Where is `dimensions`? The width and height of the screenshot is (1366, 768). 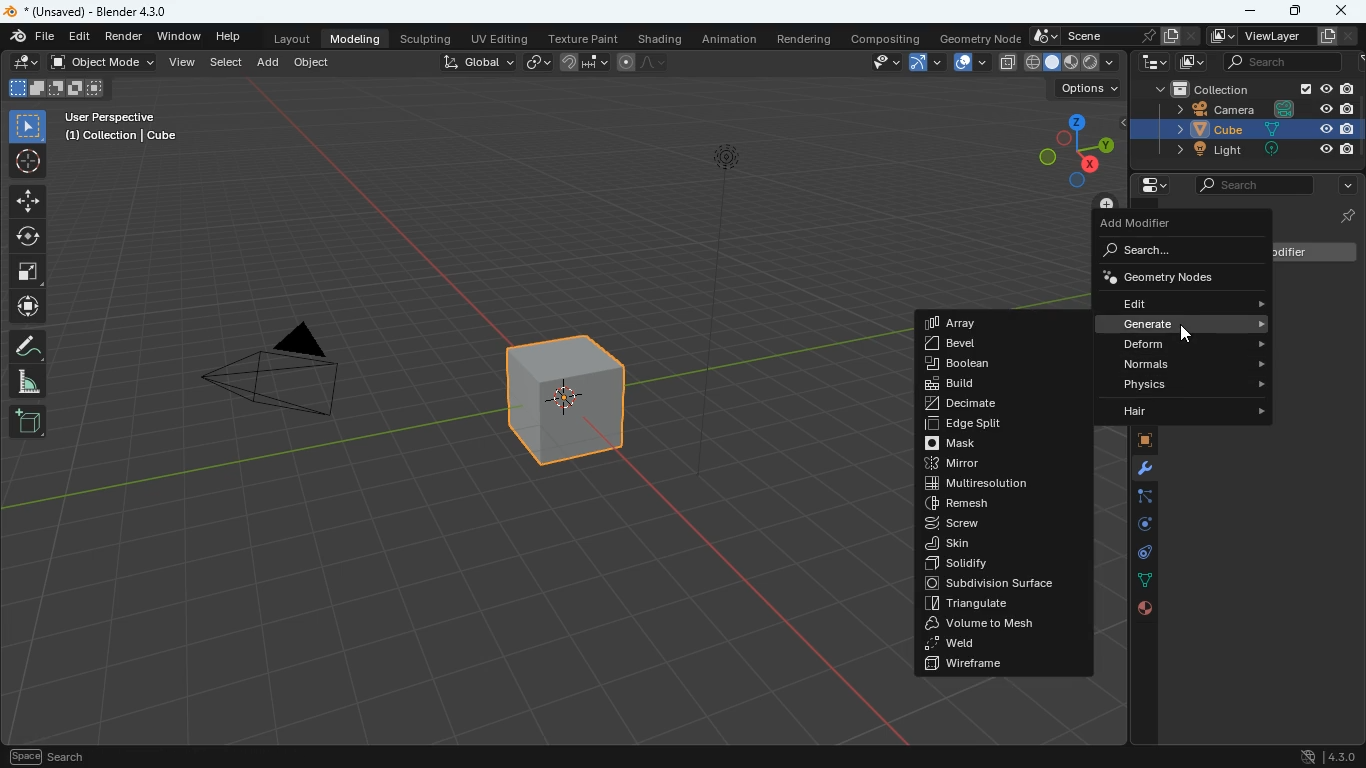 dimensions is located at coordinates (1076, 146).